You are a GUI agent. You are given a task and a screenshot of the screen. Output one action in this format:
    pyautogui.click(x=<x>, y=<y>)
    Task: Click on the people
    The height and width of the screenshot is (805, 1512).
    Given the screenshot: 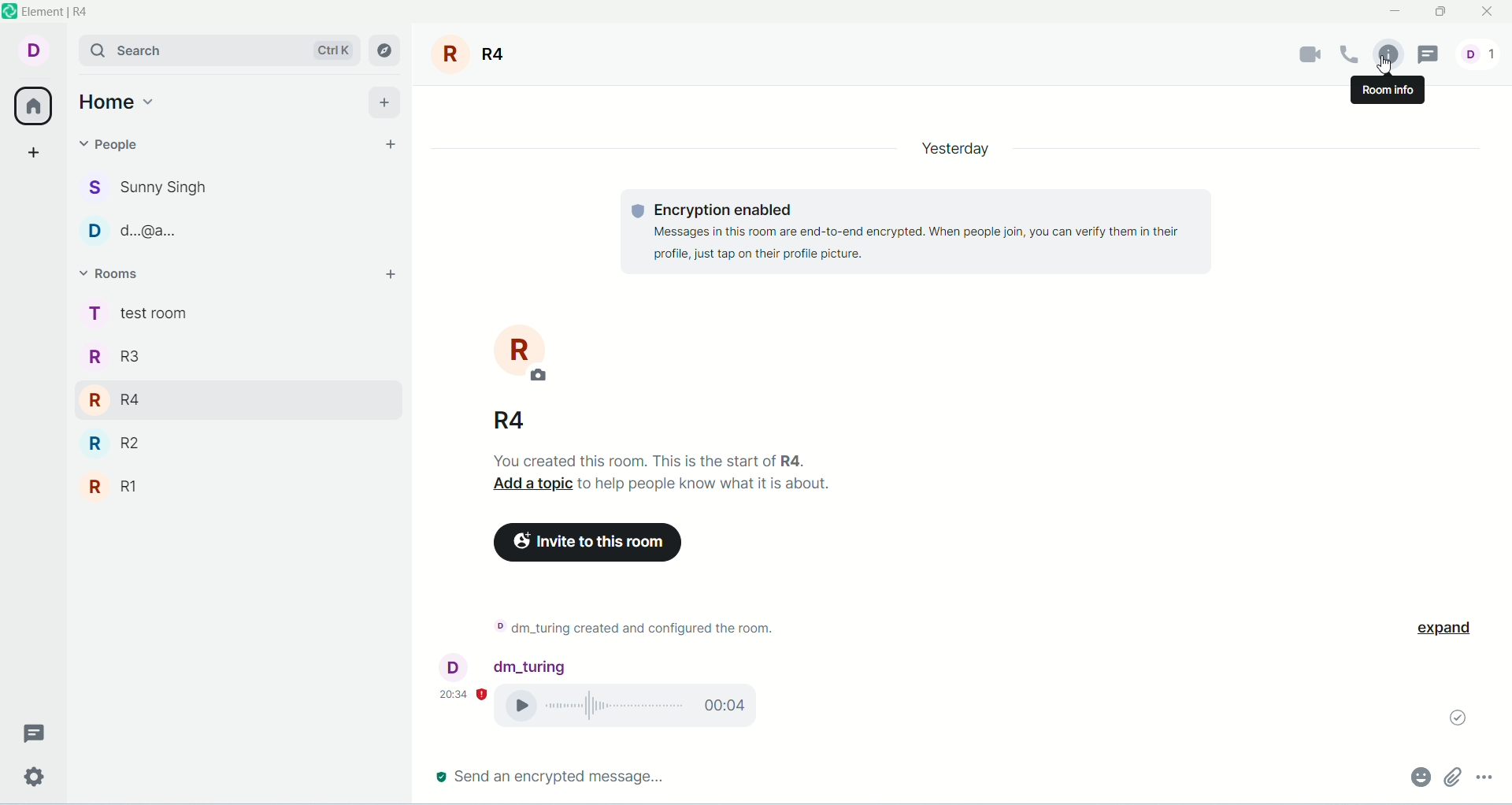 What is the action you would take?
    pyautogui.click(x=150, y=210)
    